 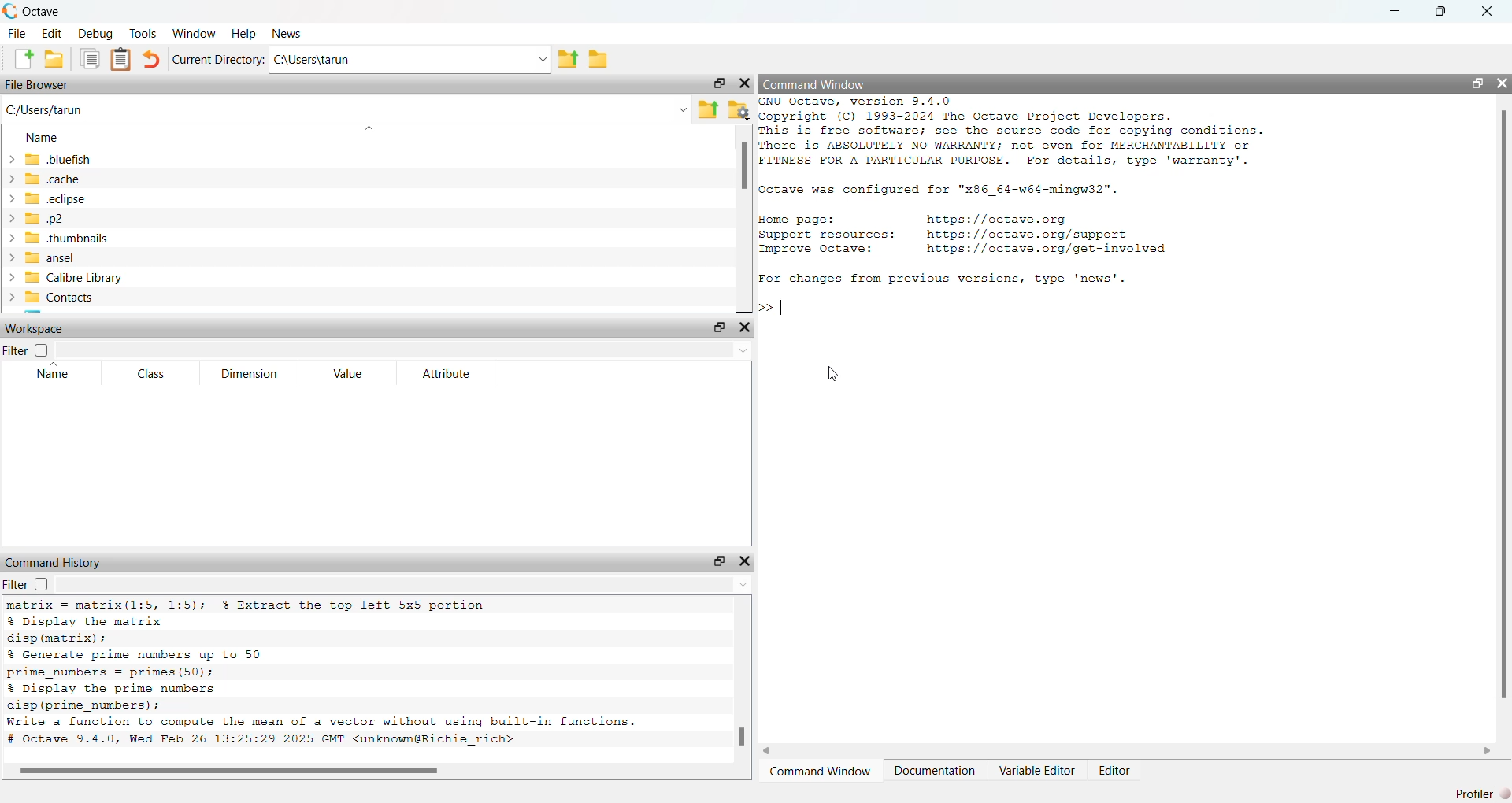 I want to click on scroll left, so click(x=769, y=752).